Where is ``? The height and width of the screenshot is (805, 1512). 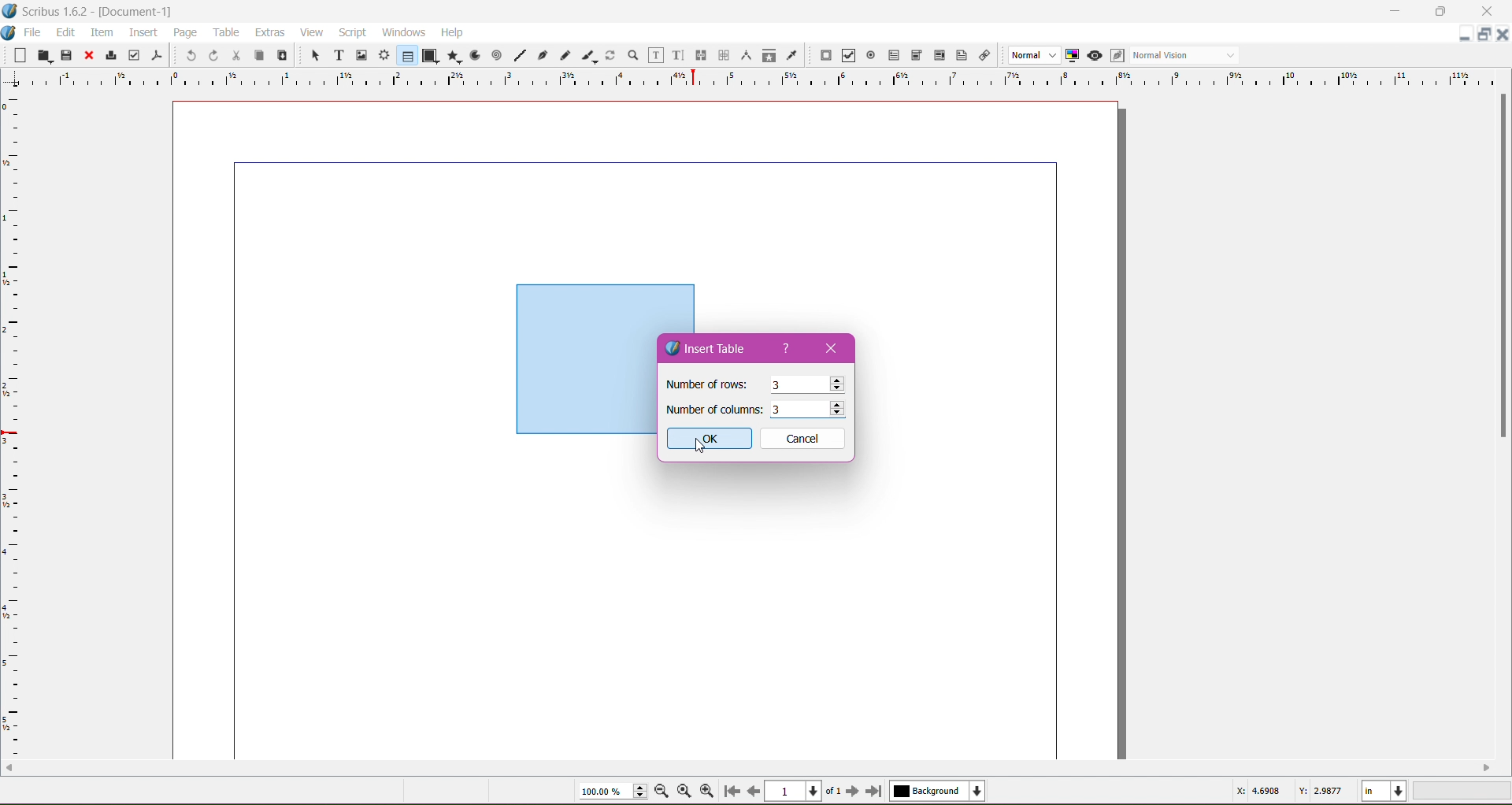  is located at coordinates (352, 32).